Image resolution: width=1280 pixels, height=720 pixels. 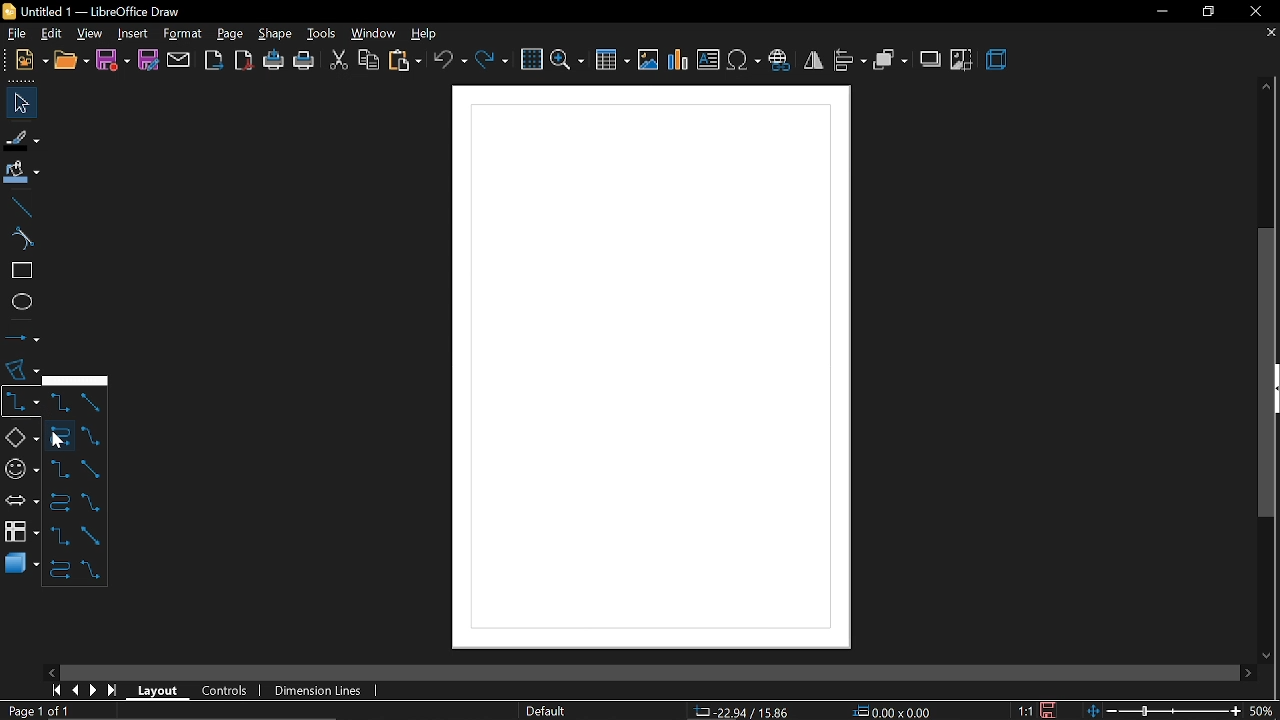 I want to click on layout, so click(x=159, y=691).